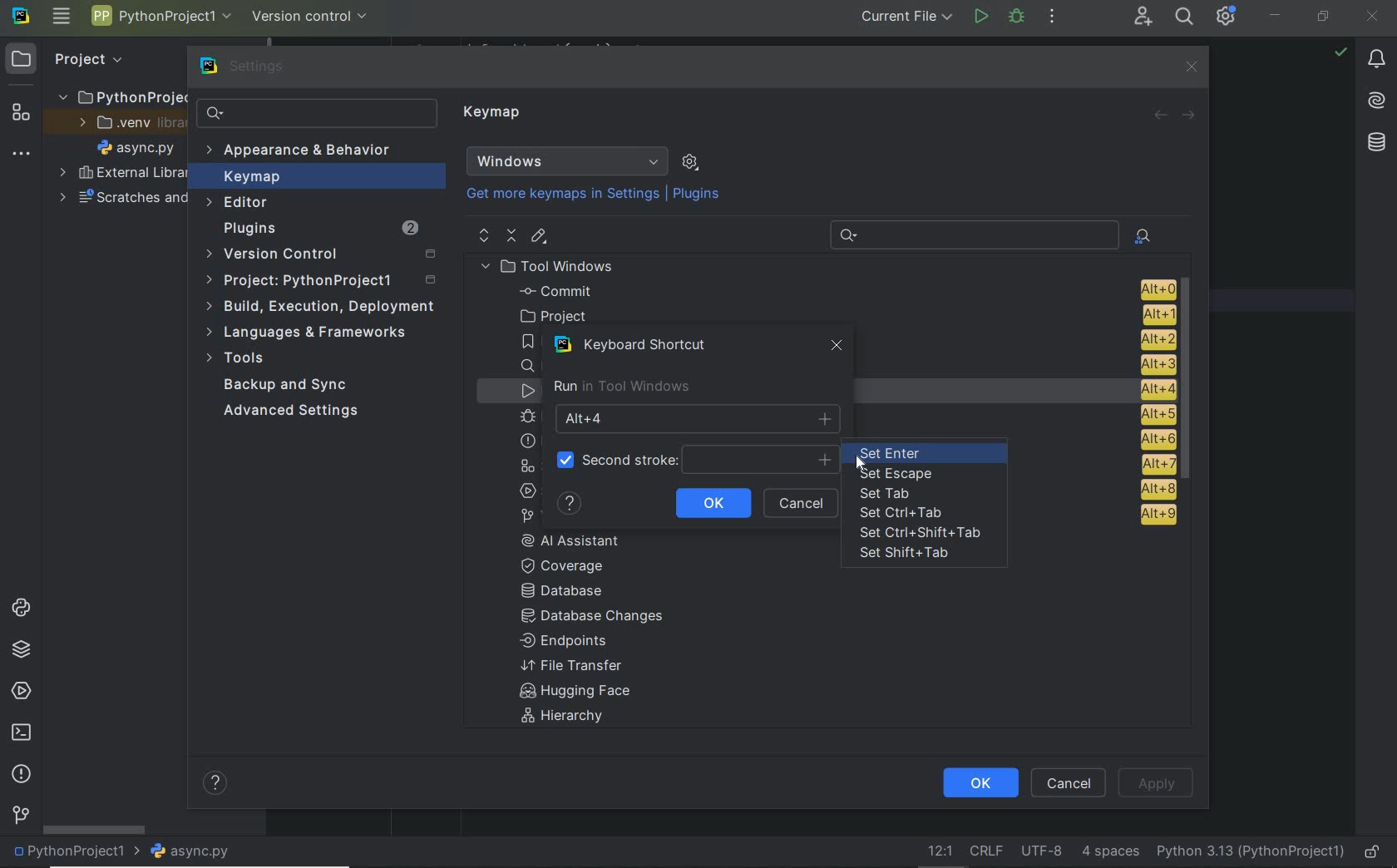 This screenshot has height=868, width=1397. I want to click on services, so click(18, 692).